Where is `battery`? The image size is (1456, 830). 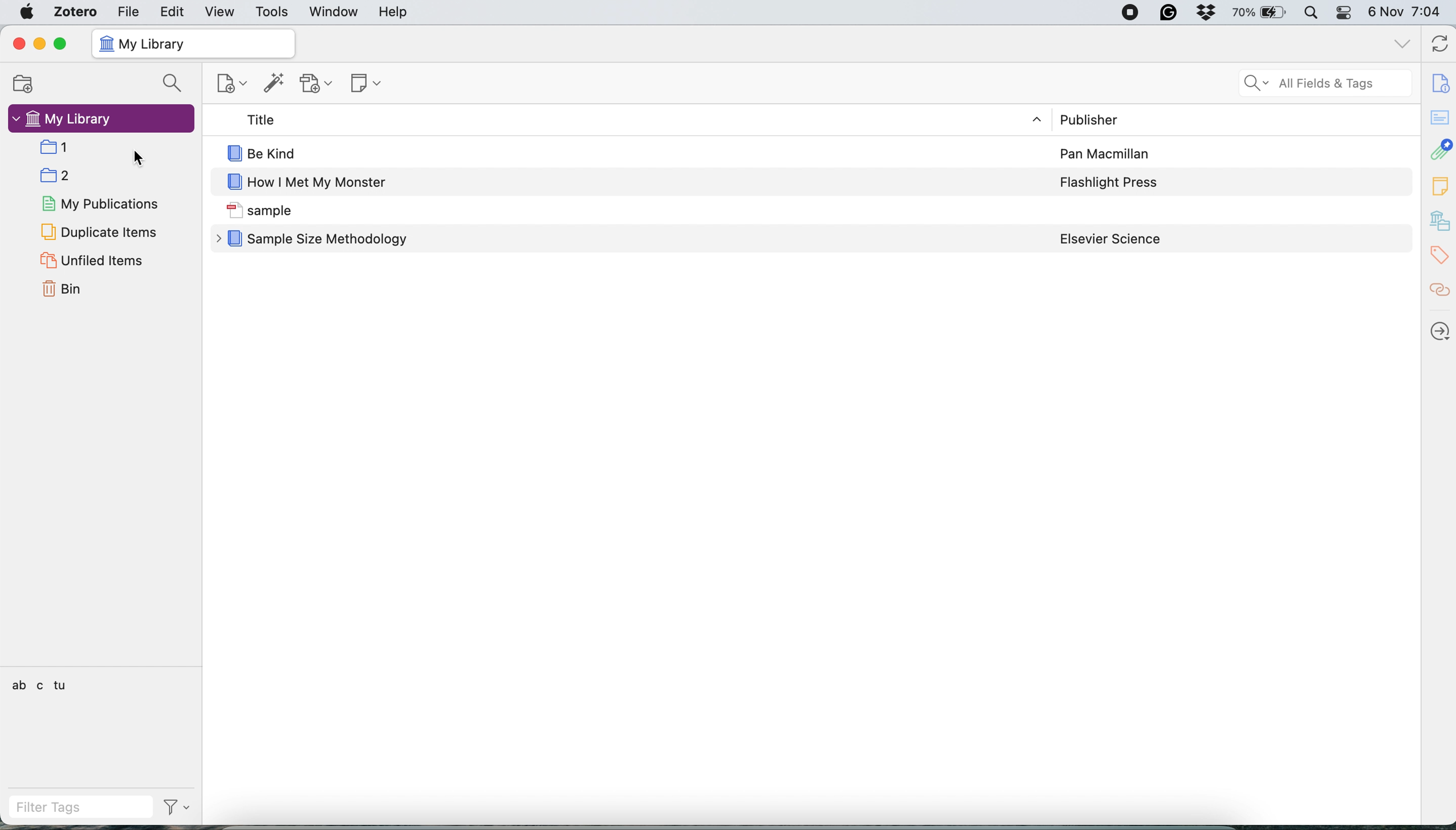
battery is located at coordinates (1263, 13).